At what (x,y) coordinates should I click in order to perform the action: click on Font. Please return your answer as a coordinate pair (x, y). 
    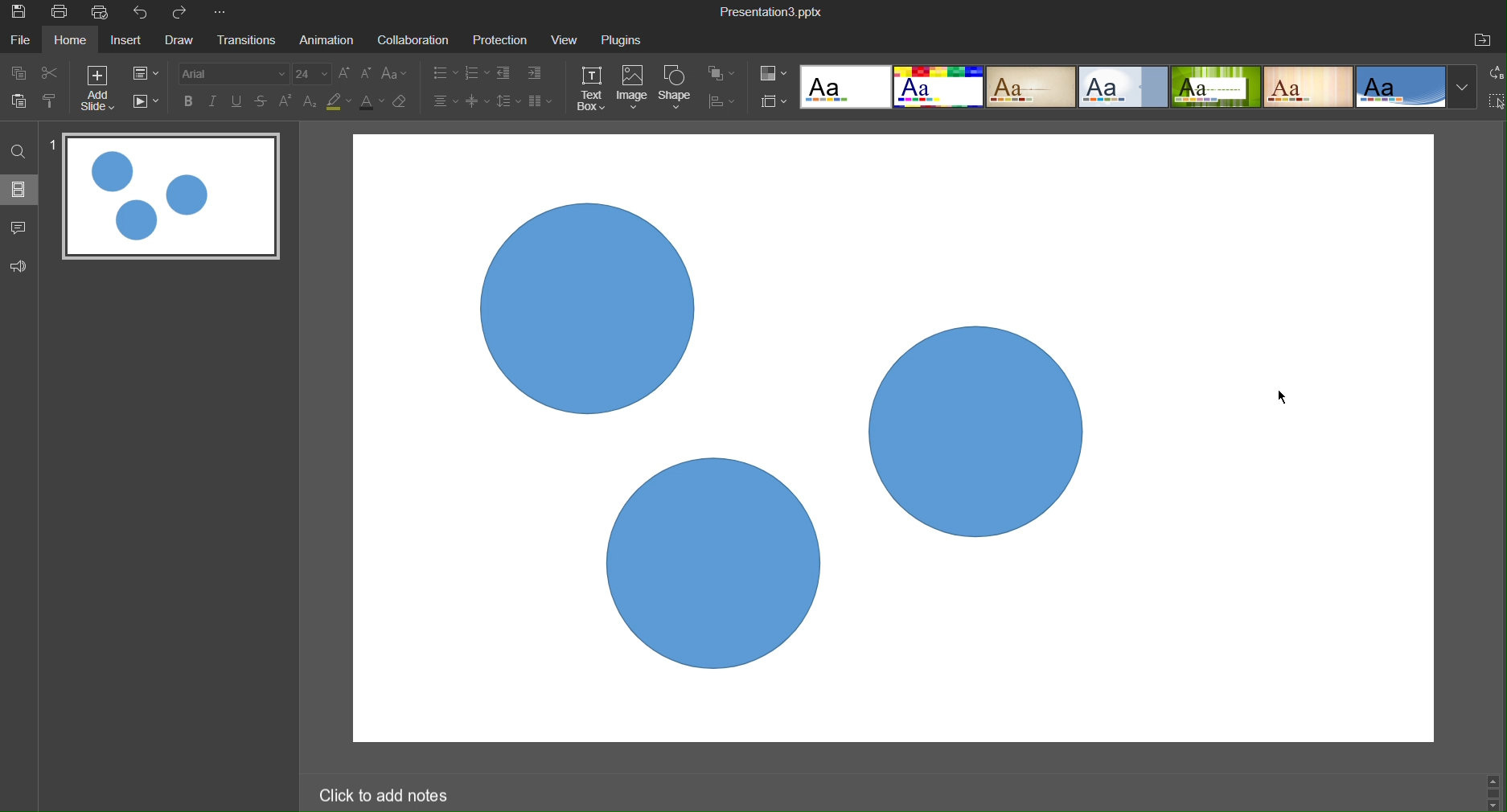
    Looking at the image, I should click on (234, 73).